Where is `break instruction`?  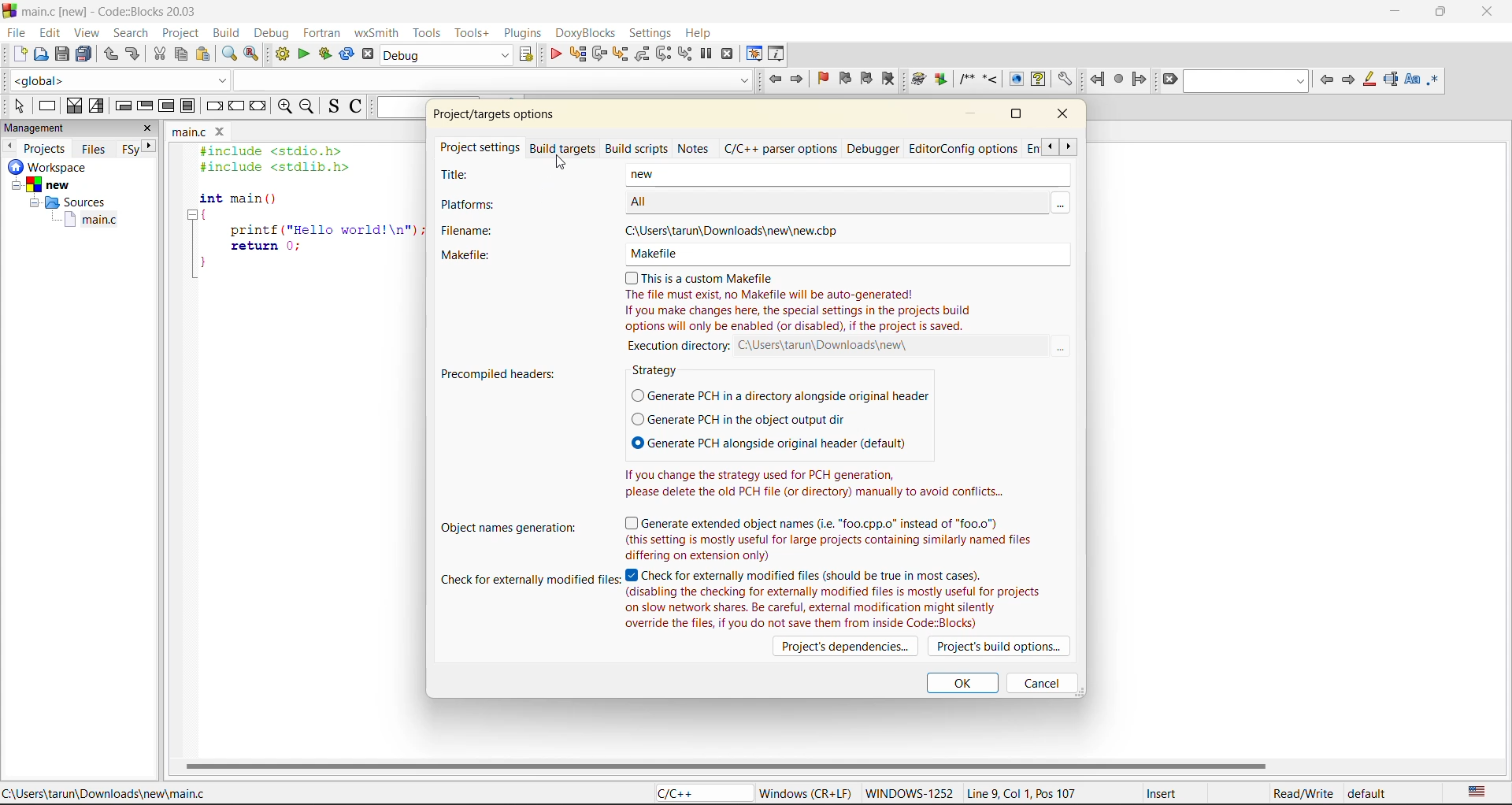
break instruction is located at coordinates (213, 107).